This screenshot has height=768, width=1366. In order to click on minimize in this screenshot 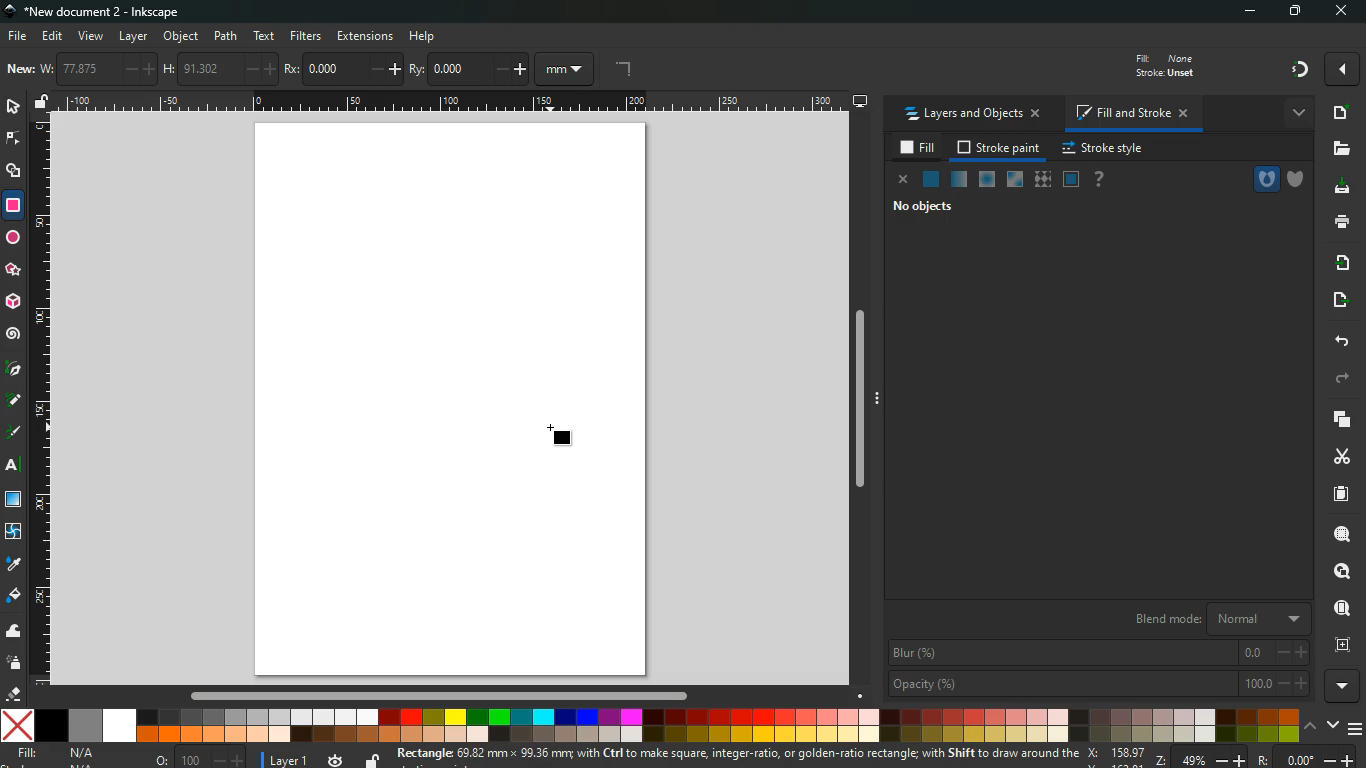, I will do `click(1247, 12)`.